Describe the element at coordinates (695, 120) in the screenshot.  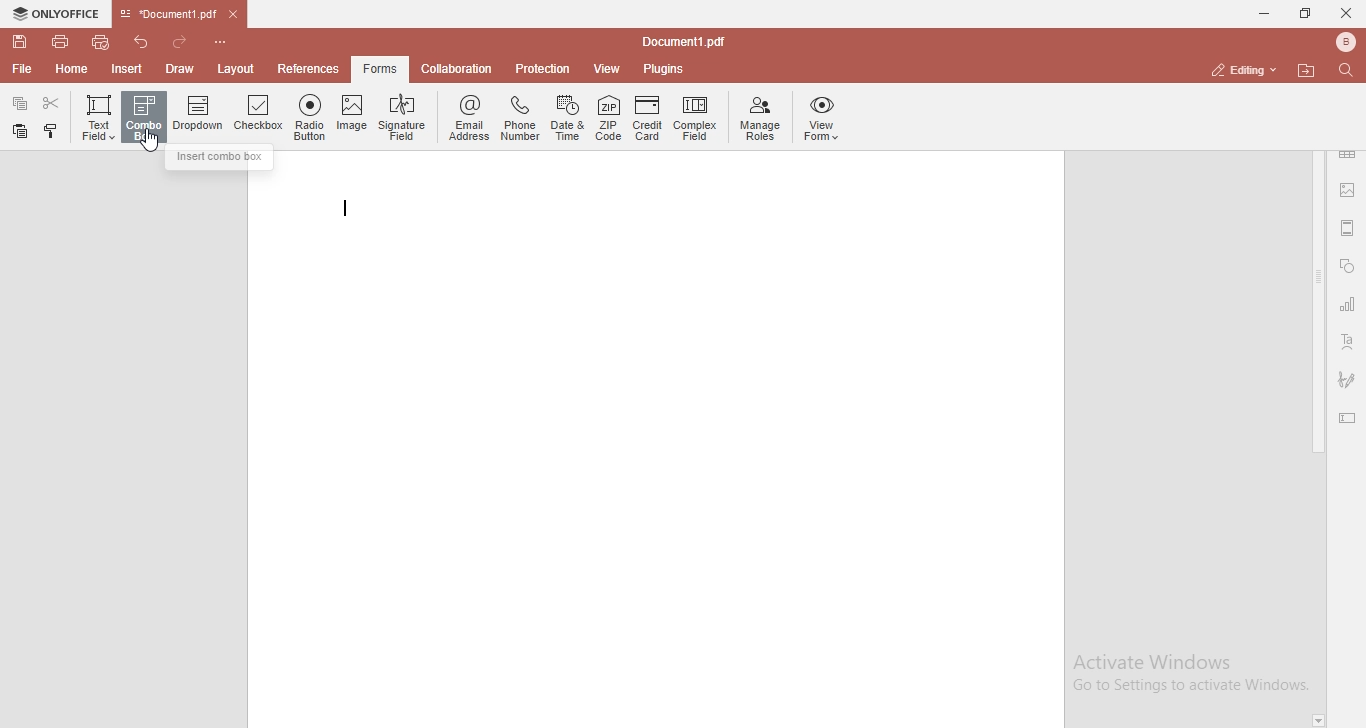
I see `complex field` at that location.